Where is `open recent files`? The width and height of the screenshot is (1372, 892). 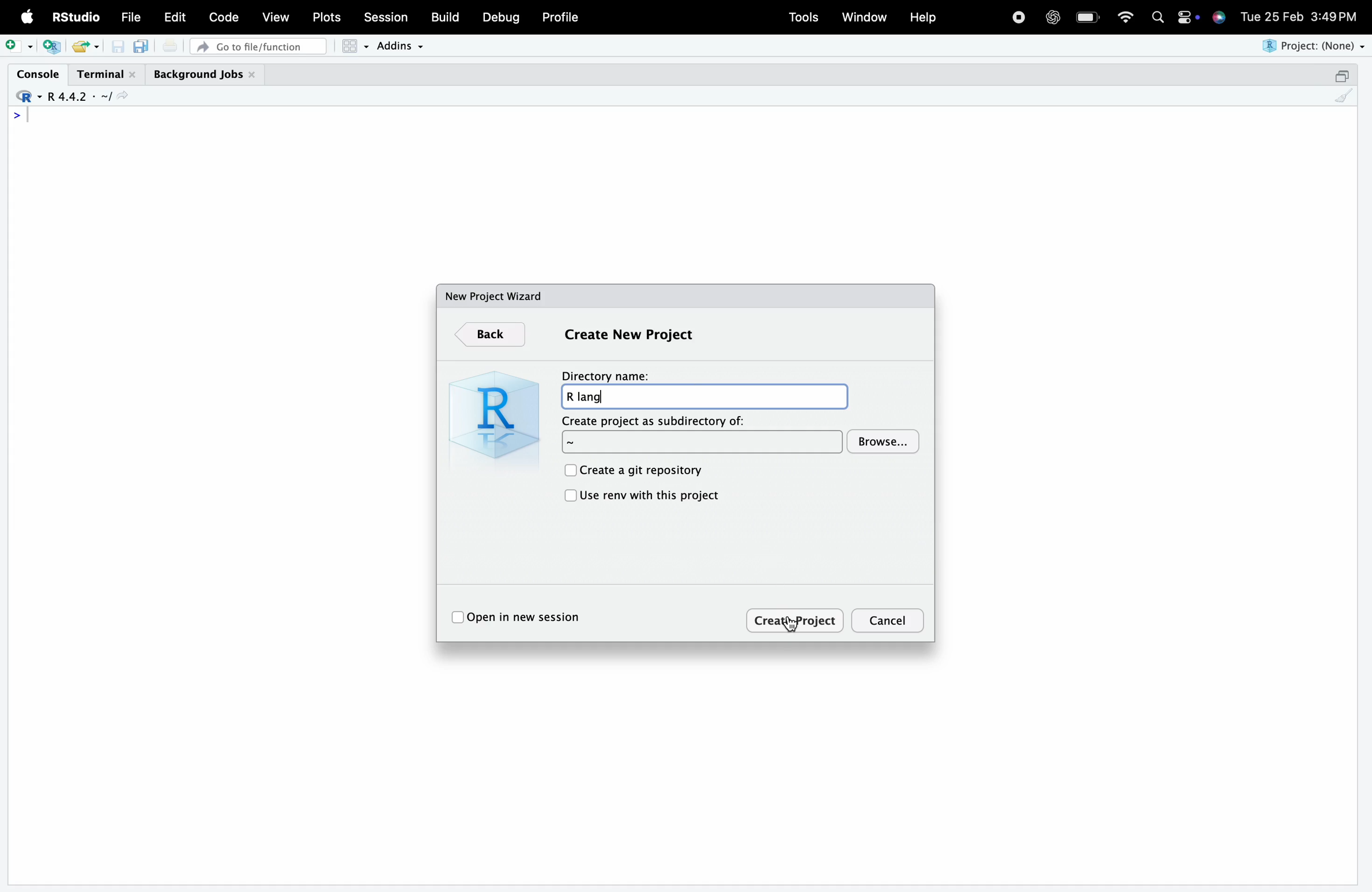 open recent files is located at coordinates (96, 47).